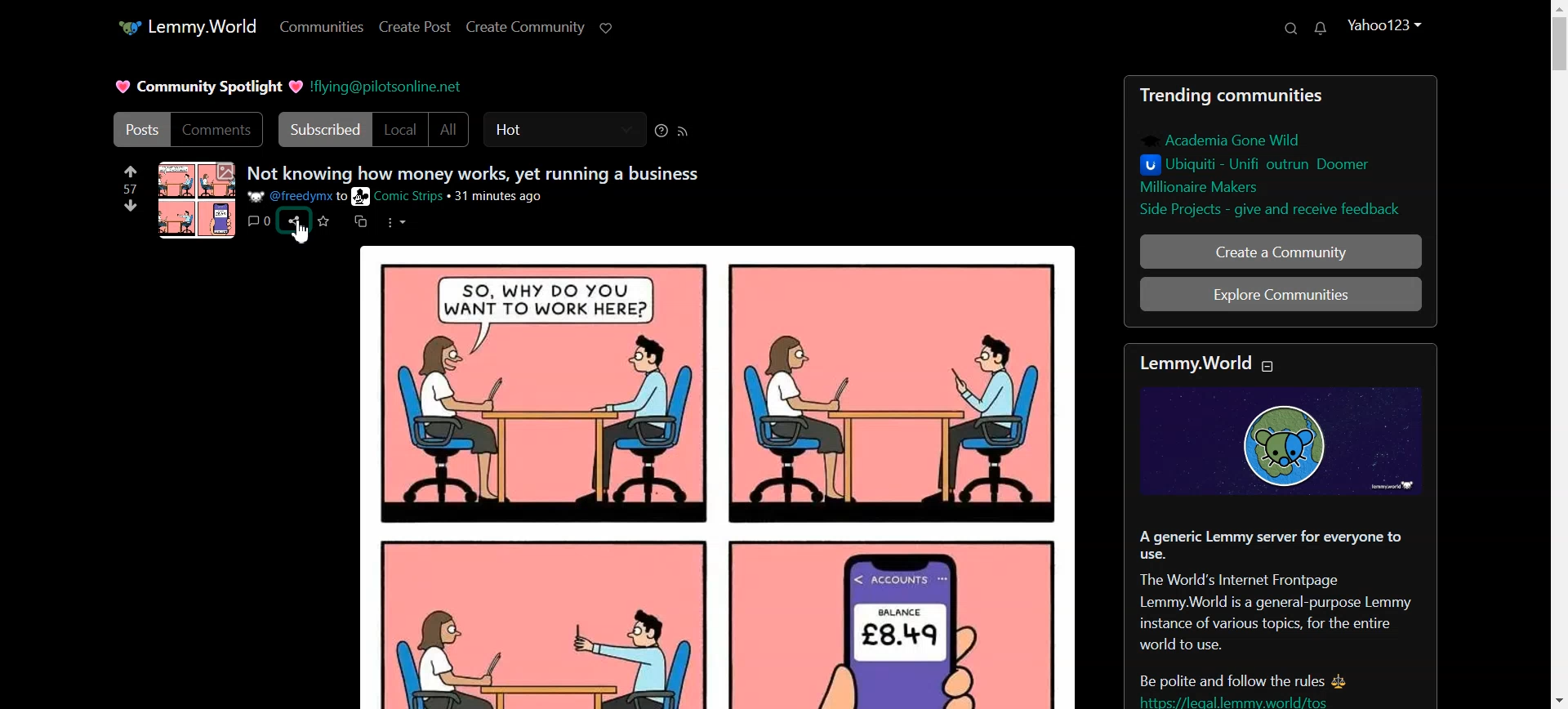 This screenshot has width=1568, height=709. What do you see at coordinates (683, 132) in the screenshot?
I see `RSS` at bounding box center [683, 132].